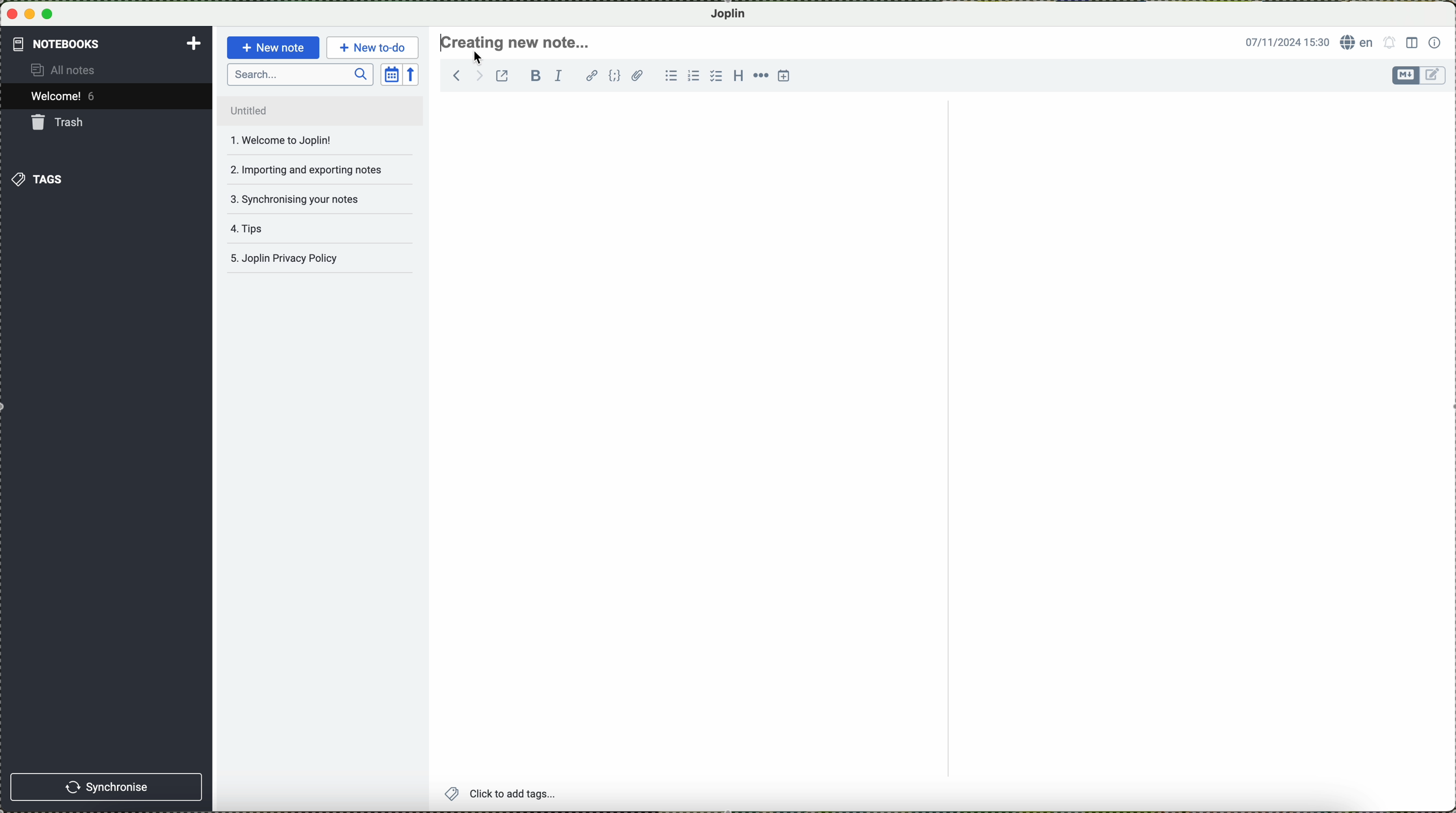  Describe the element at coordinates (108, 786) in the screenshot. I see `synchronise button` at that location.